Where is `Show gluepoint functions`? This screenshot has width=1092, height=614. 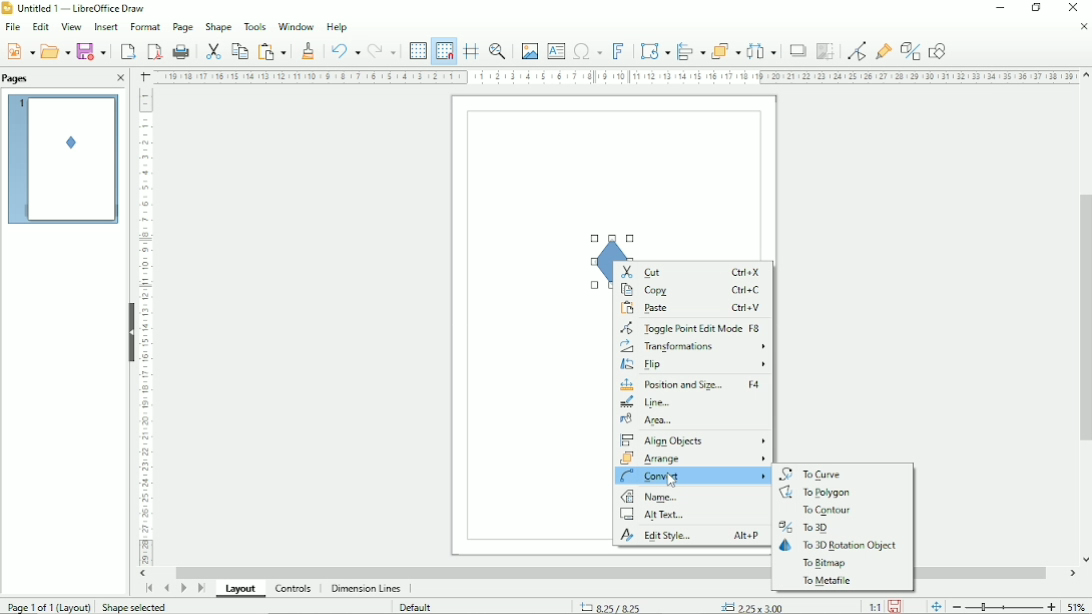 Show gluepoint functions is located at coordinates (882, 50).